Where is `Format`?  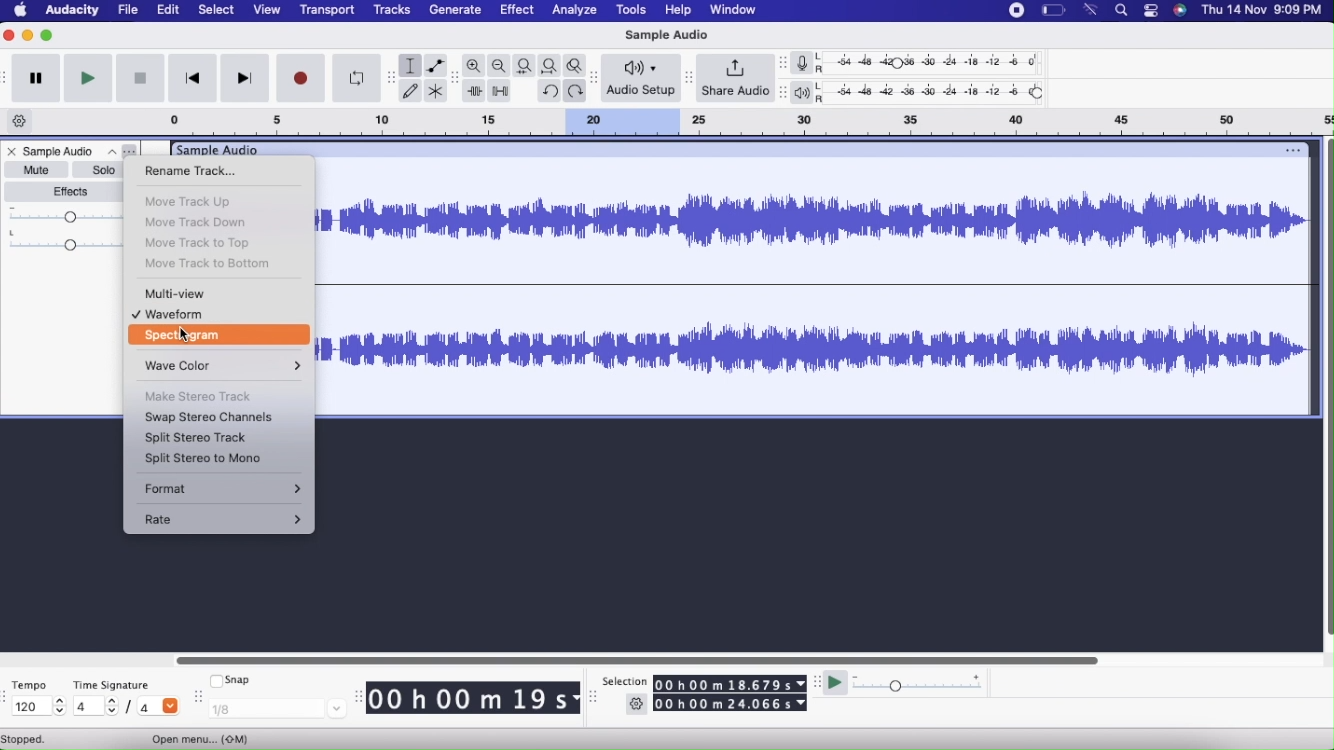 Format is located at coordinates (221, 488).